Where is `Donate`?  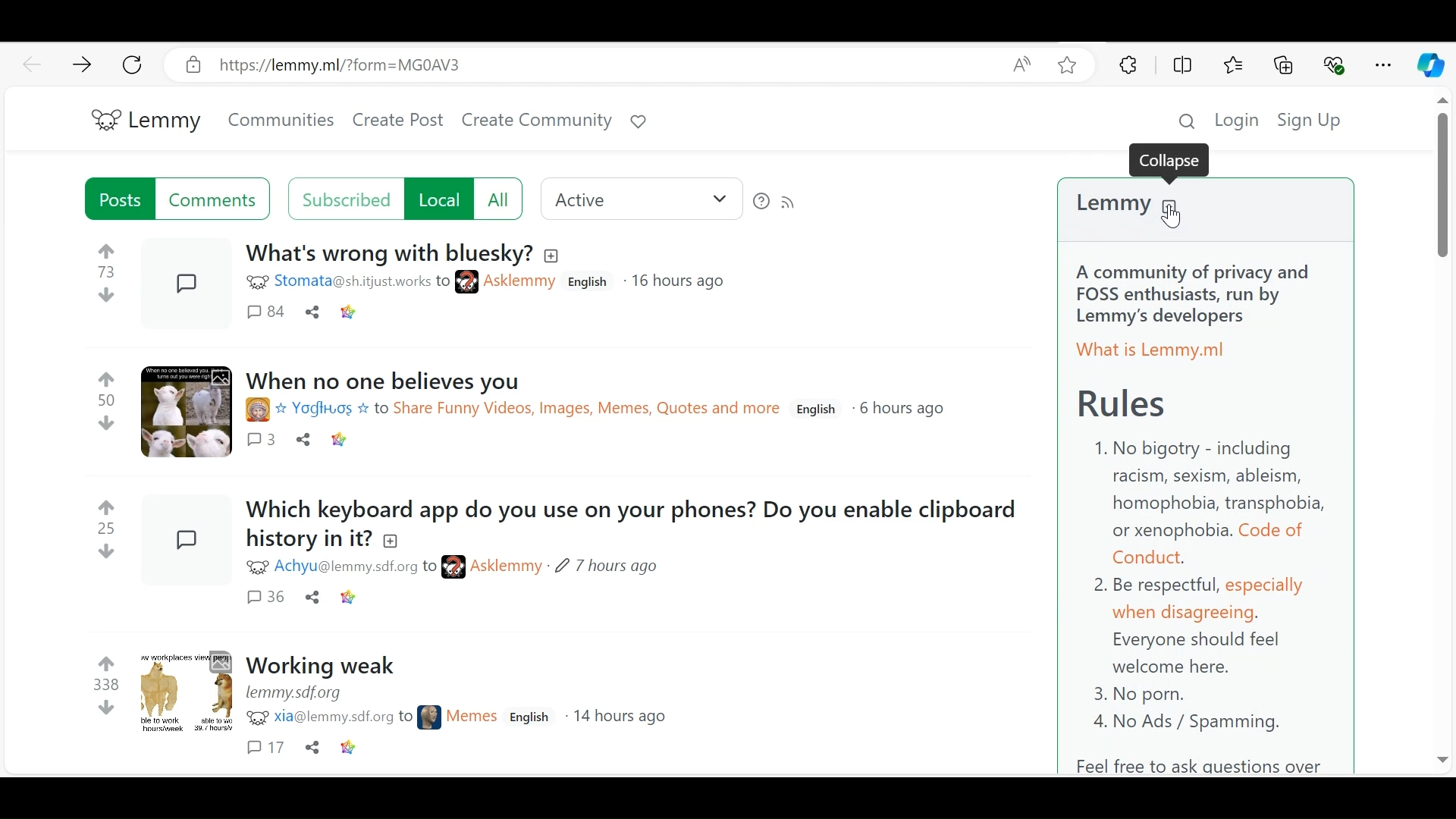 Donate is located at coordinates (638, 124).